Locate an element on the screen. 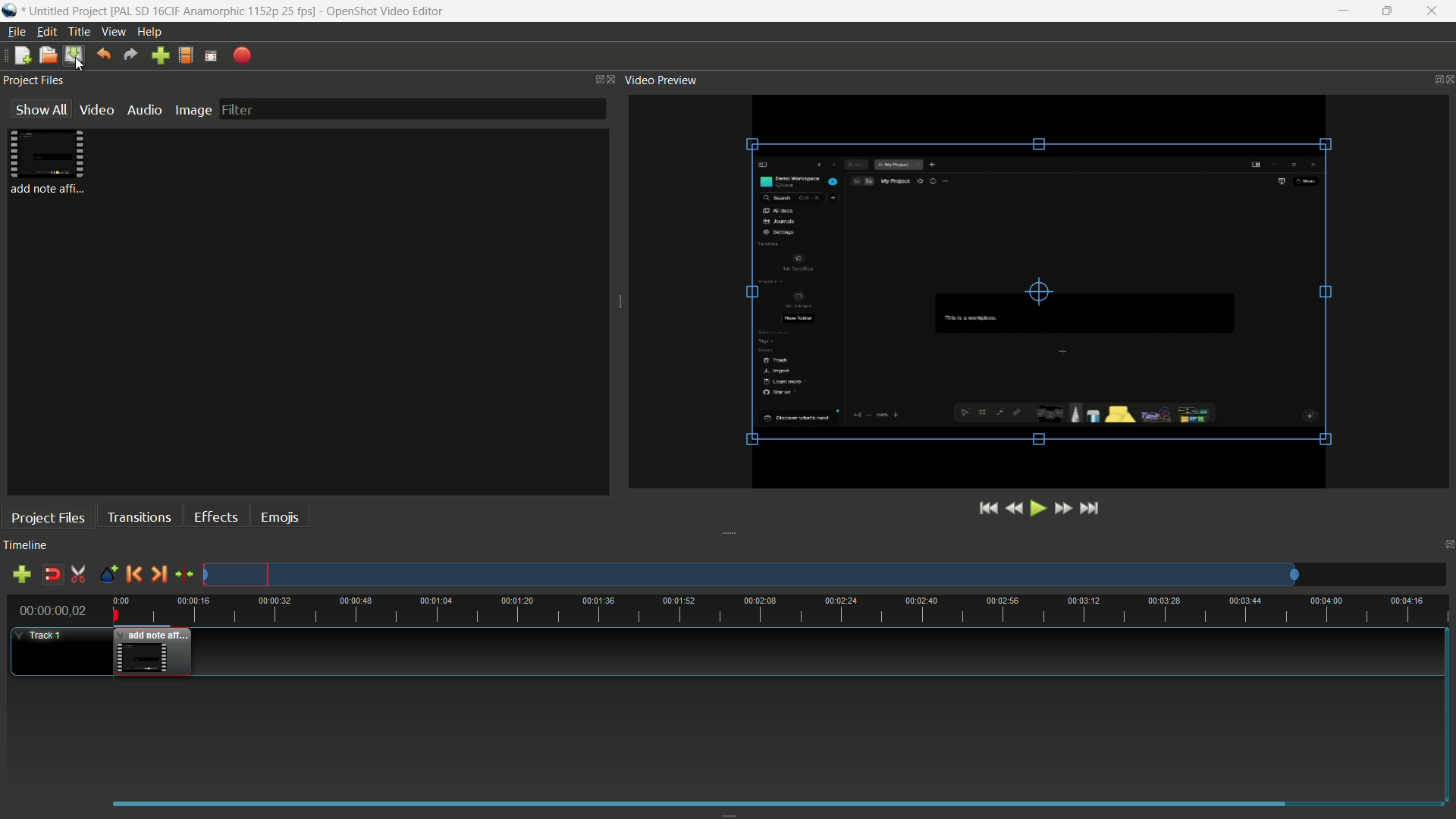  redo is located at coordinates (130, 55).